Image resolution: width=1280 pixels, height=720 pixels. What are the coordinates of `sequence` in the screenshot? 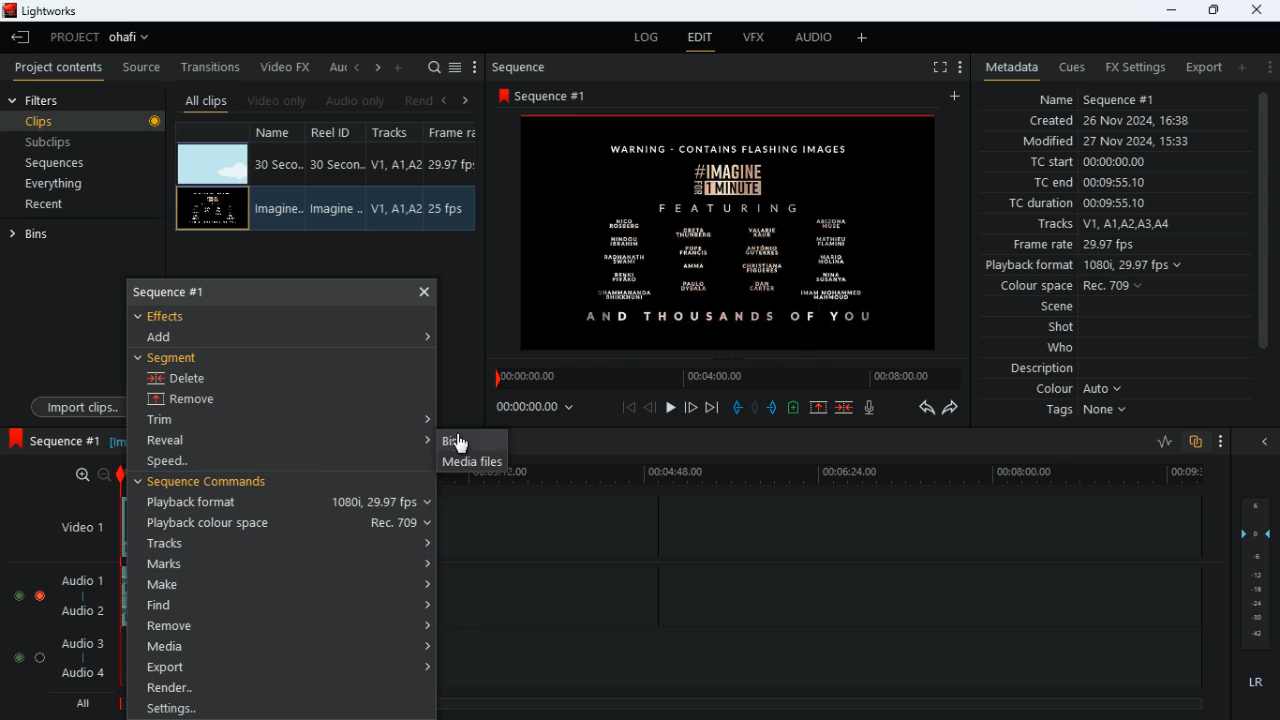 It's located at (528, 67).